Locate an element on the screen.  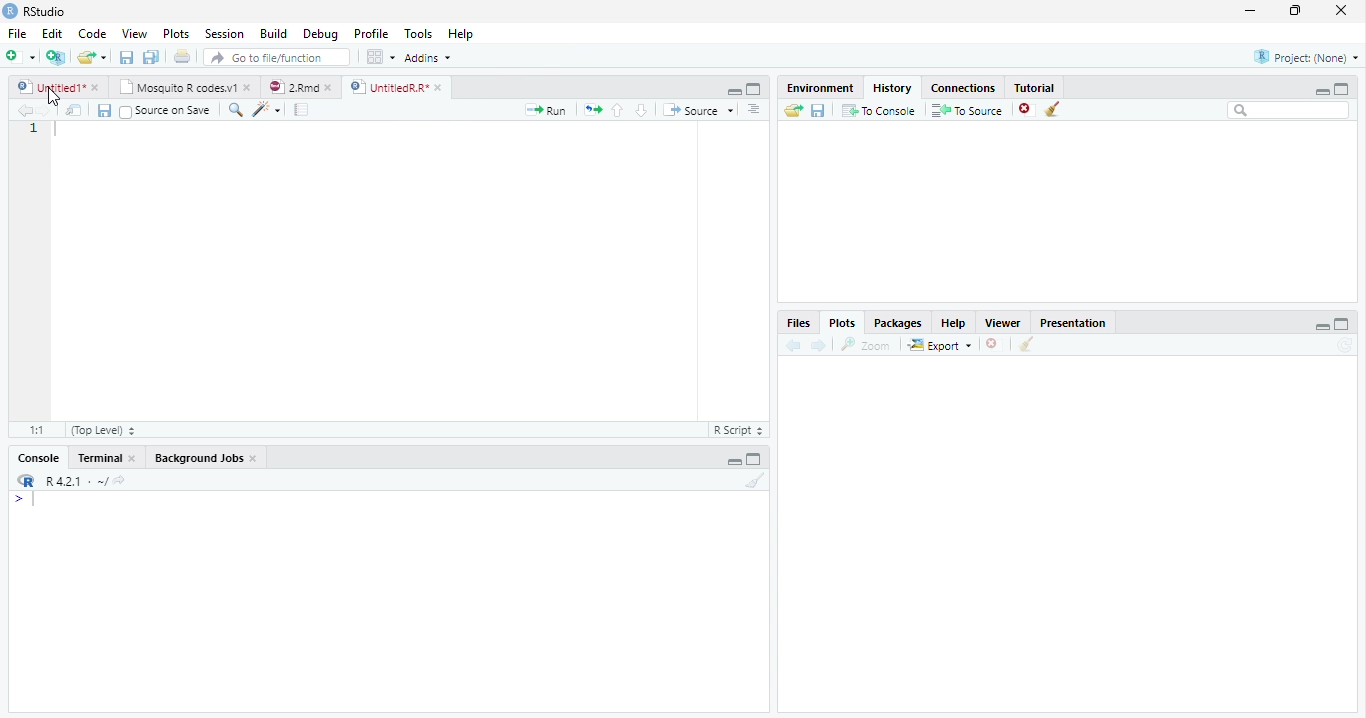
Minimize is located at coordinates (1321, 89).